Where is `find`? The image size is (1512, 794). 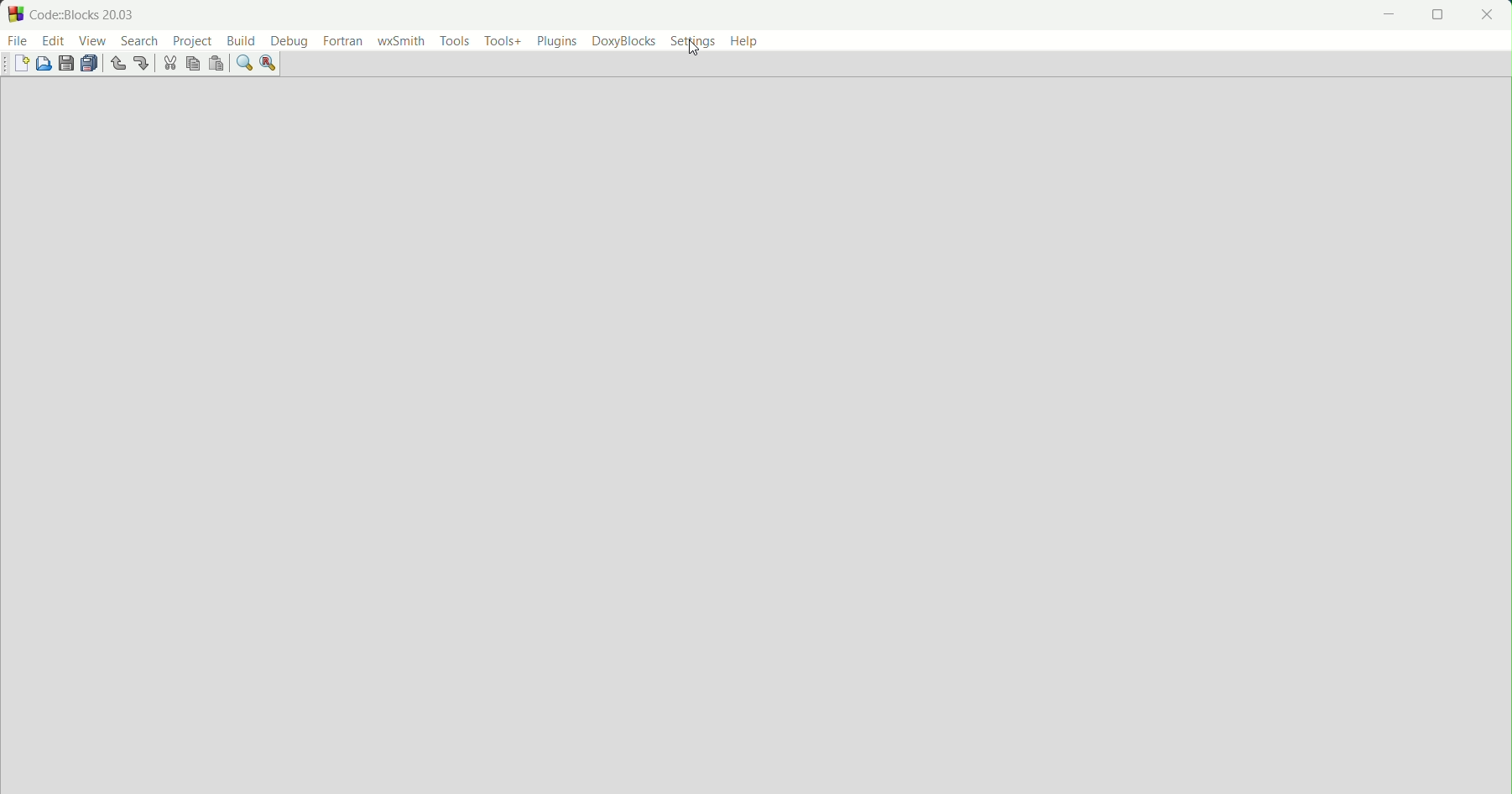
find is located at coordinates (244, 62).